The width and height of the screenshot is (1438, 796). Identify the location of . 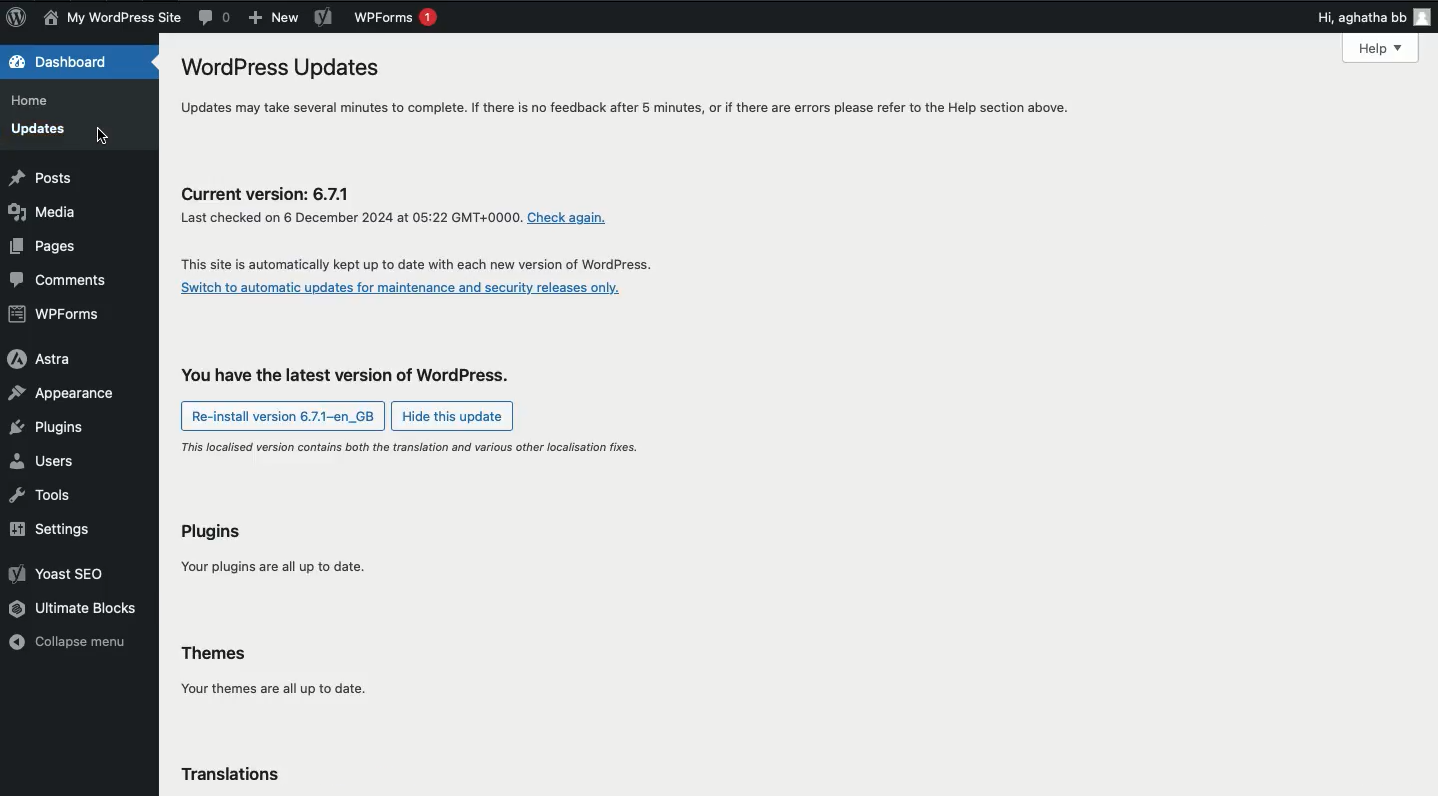
(273, 195).